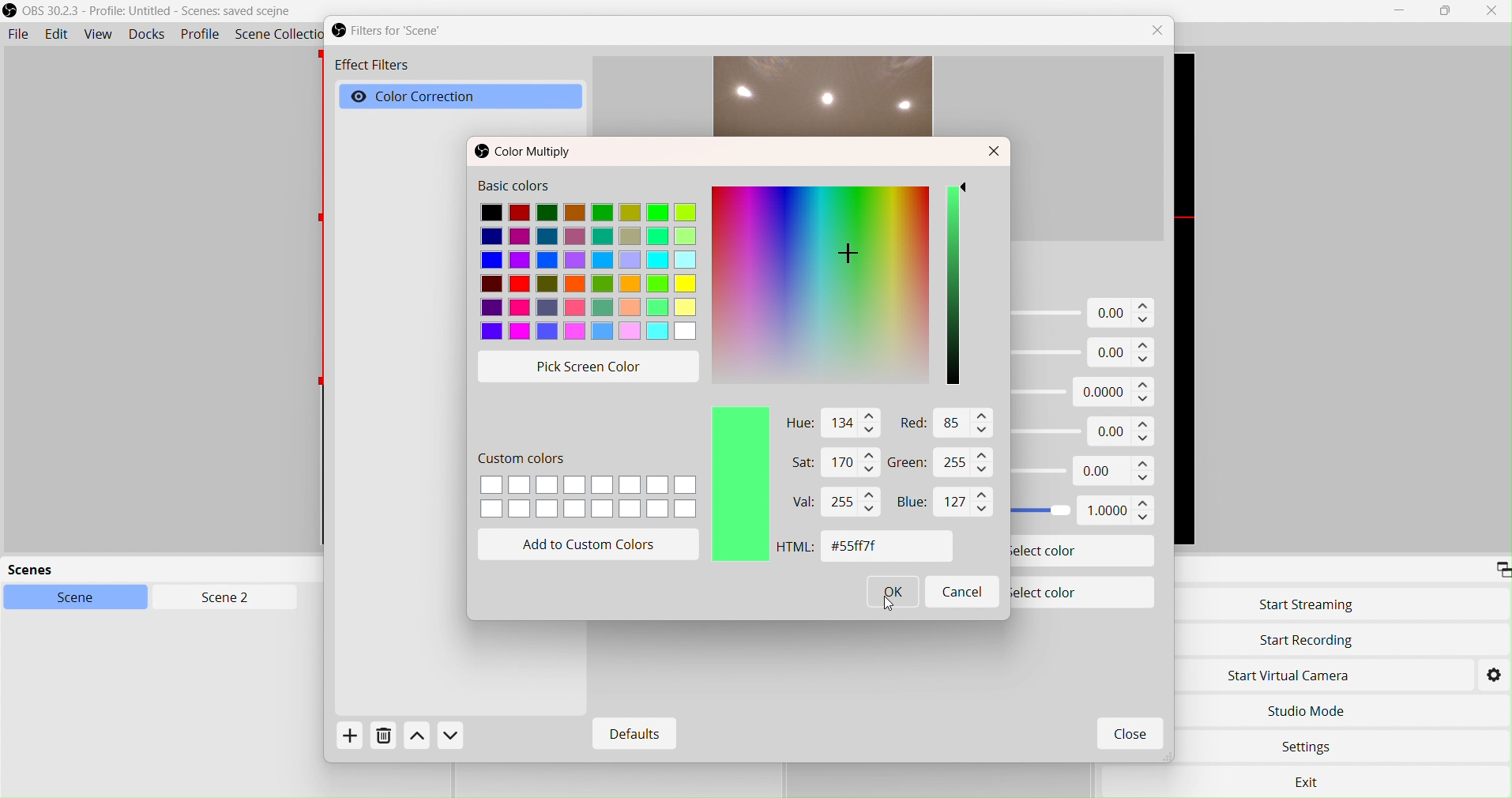  What do you see at coordinates (401, 31) in the screenshot?
I see `Filters` at bounding box center [401, 31].